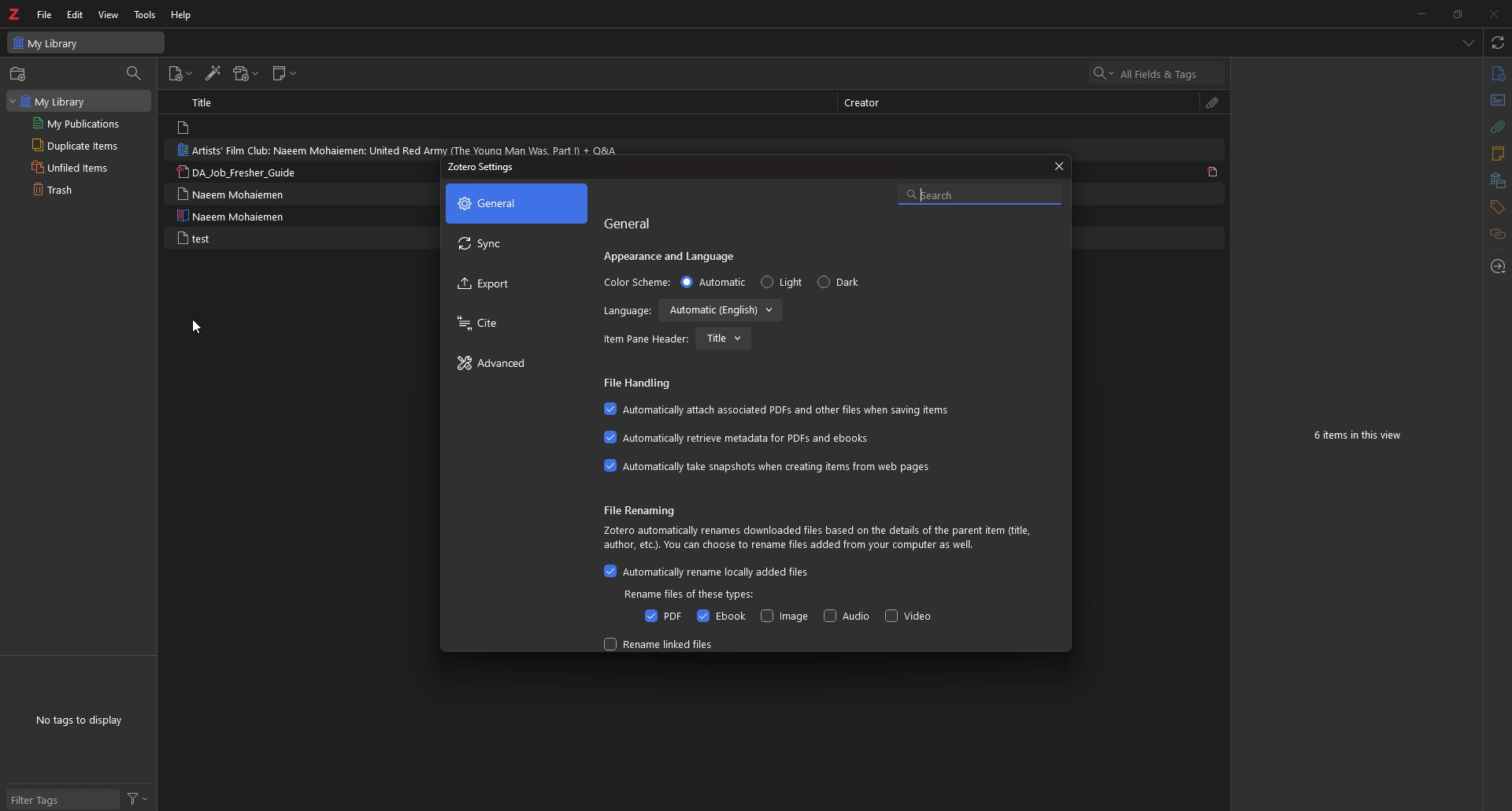  I want to click on rename linked files, so click(661, 643).